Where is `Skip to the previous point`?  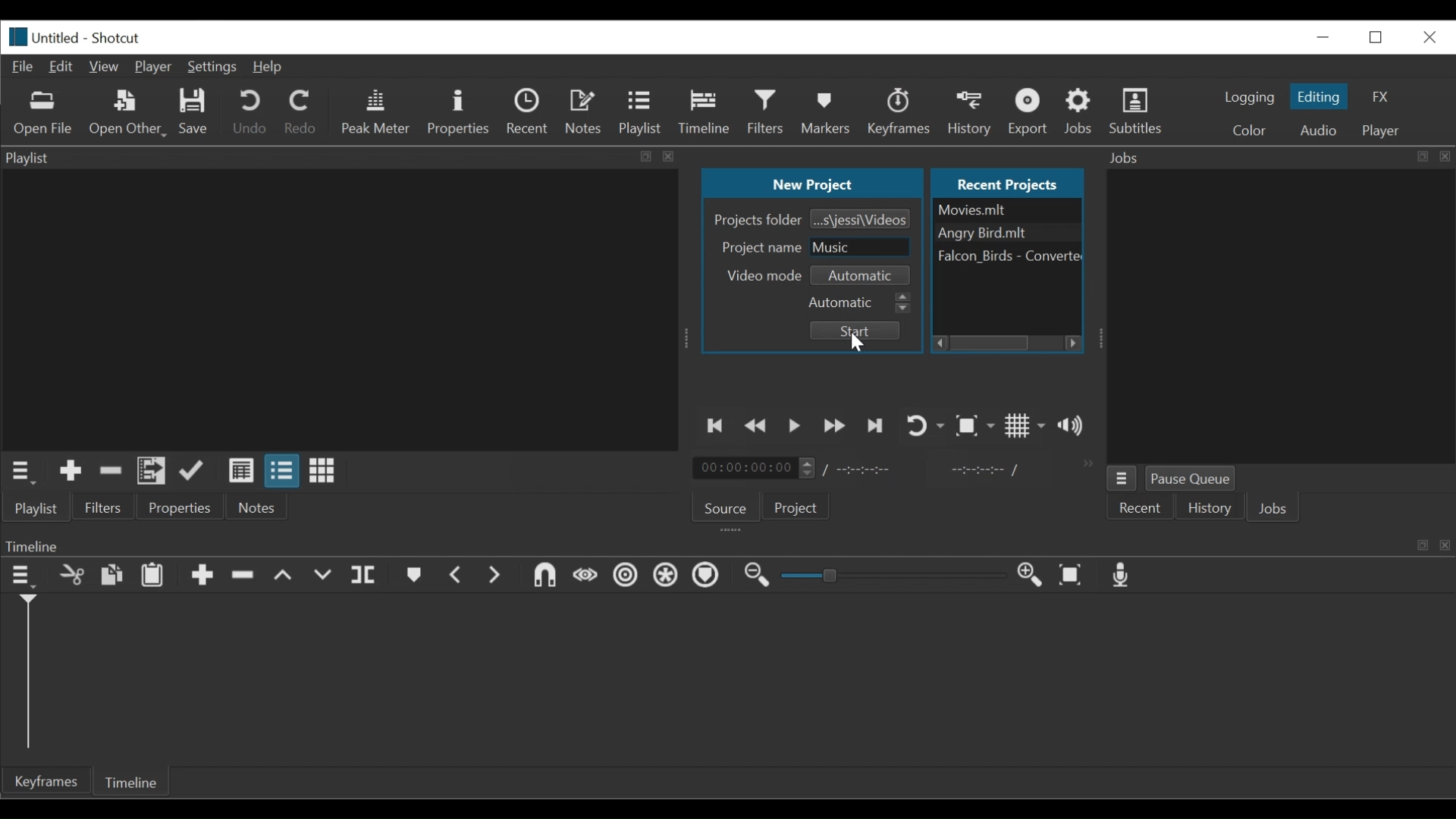 Skip to the previous point is located at coordinates (716, 427).